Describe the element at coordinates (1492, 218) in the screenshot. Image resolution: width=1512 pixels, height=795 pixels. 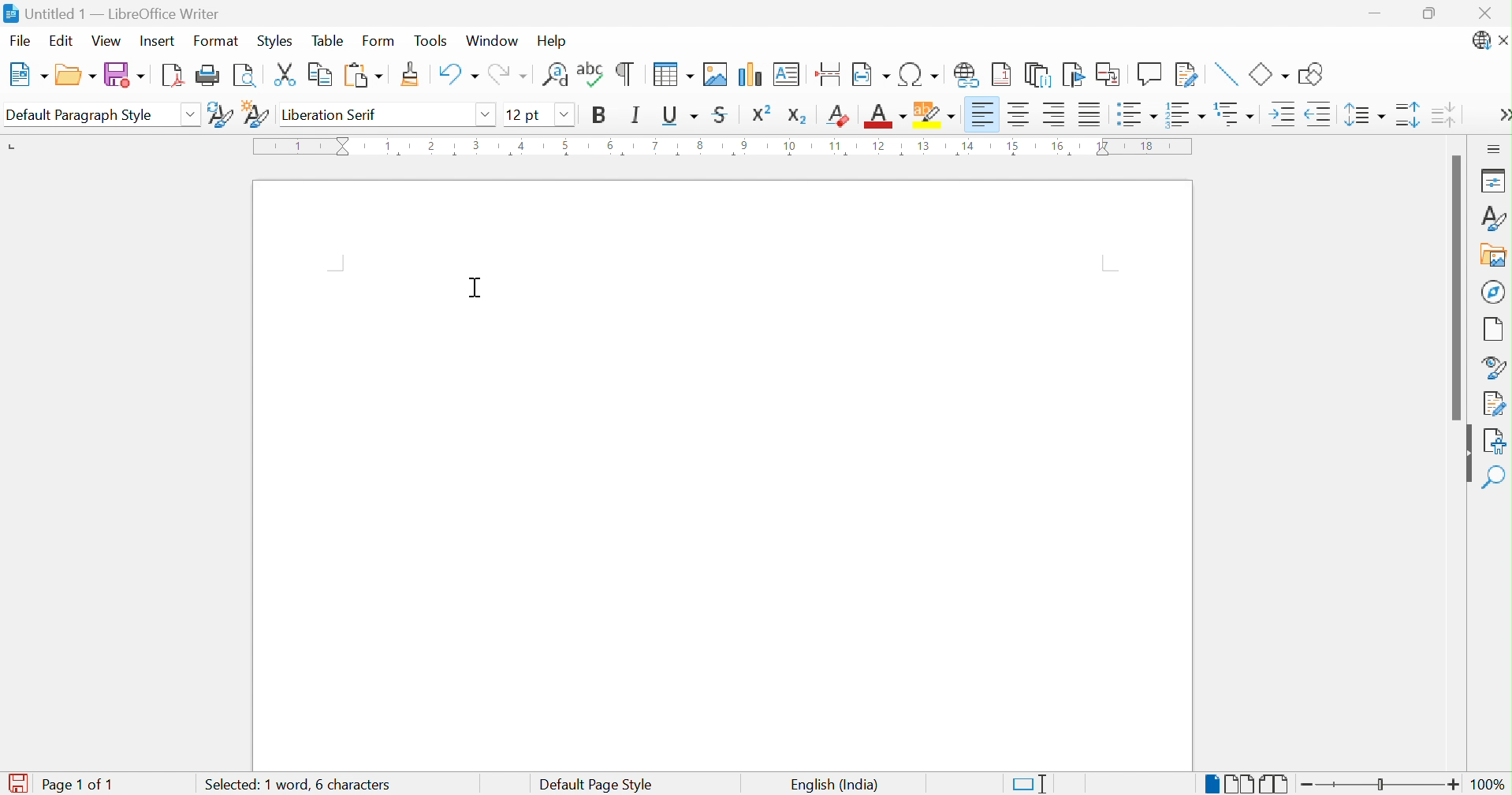
I see `Styles` at that location.